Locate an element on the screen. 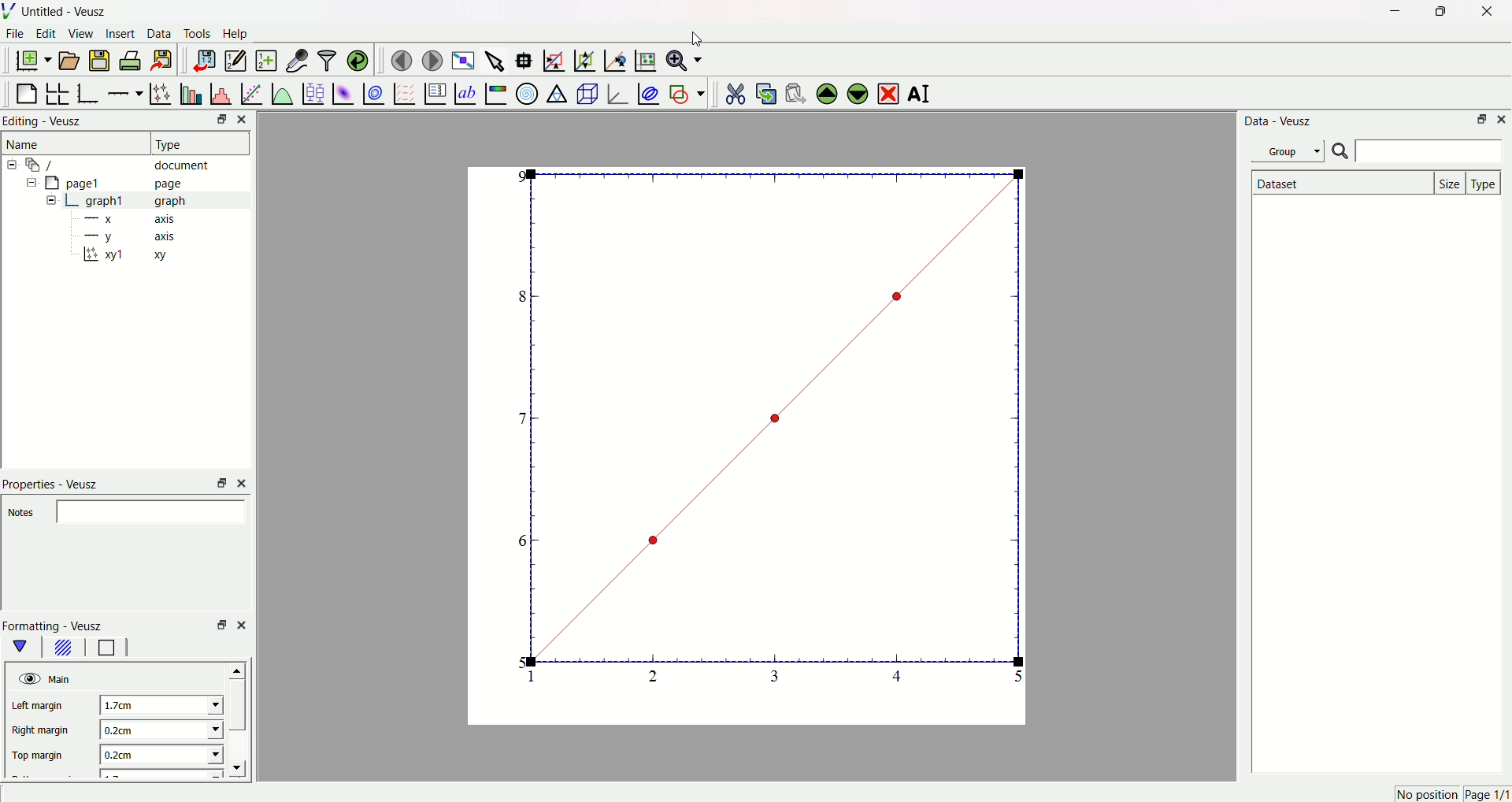  read data points is located at coordinates (527, 58).